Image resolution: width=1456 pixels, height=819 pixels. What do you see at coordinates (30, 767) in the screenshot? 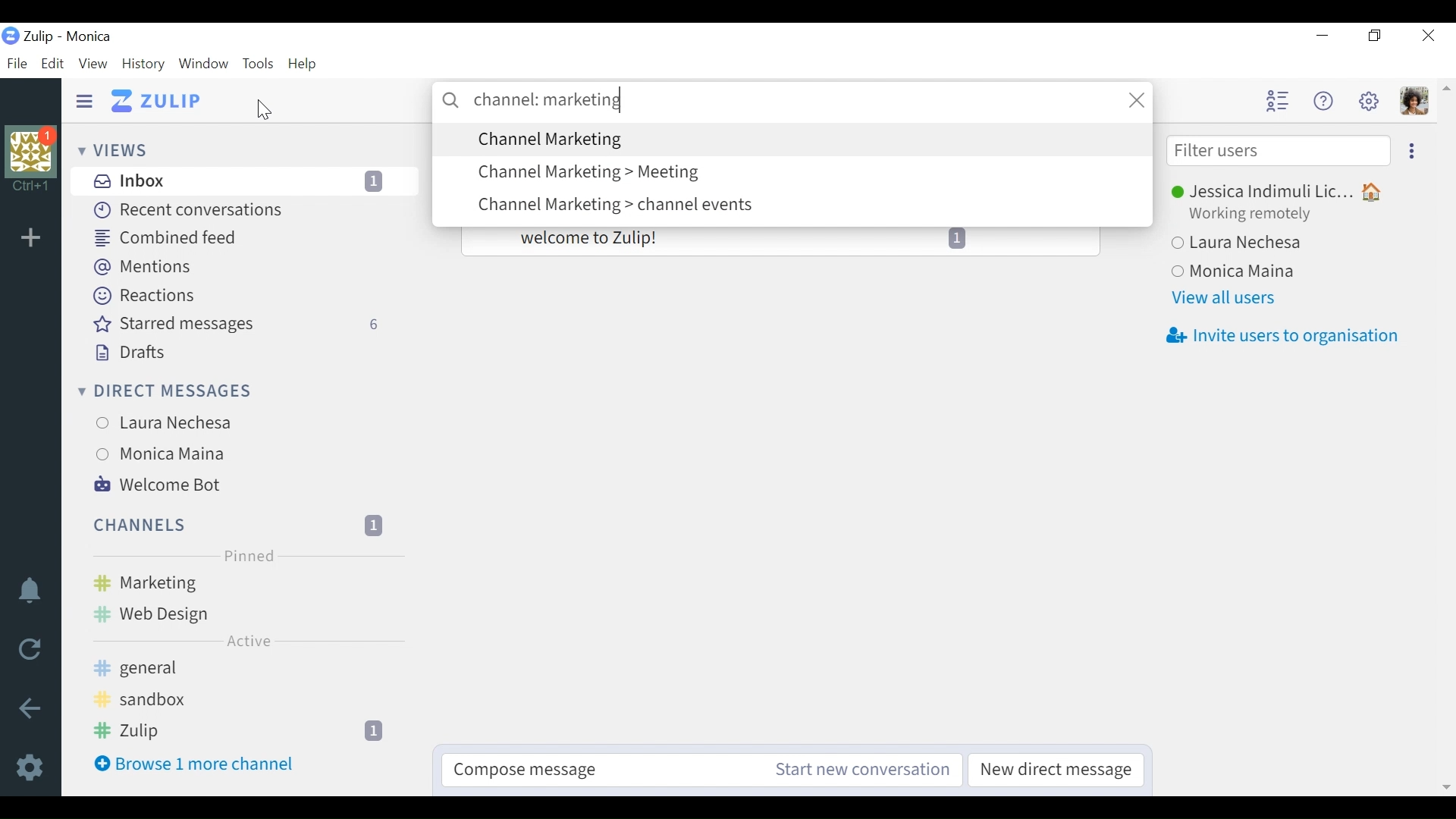
I see `Settings` at bounding box center [30, 767].